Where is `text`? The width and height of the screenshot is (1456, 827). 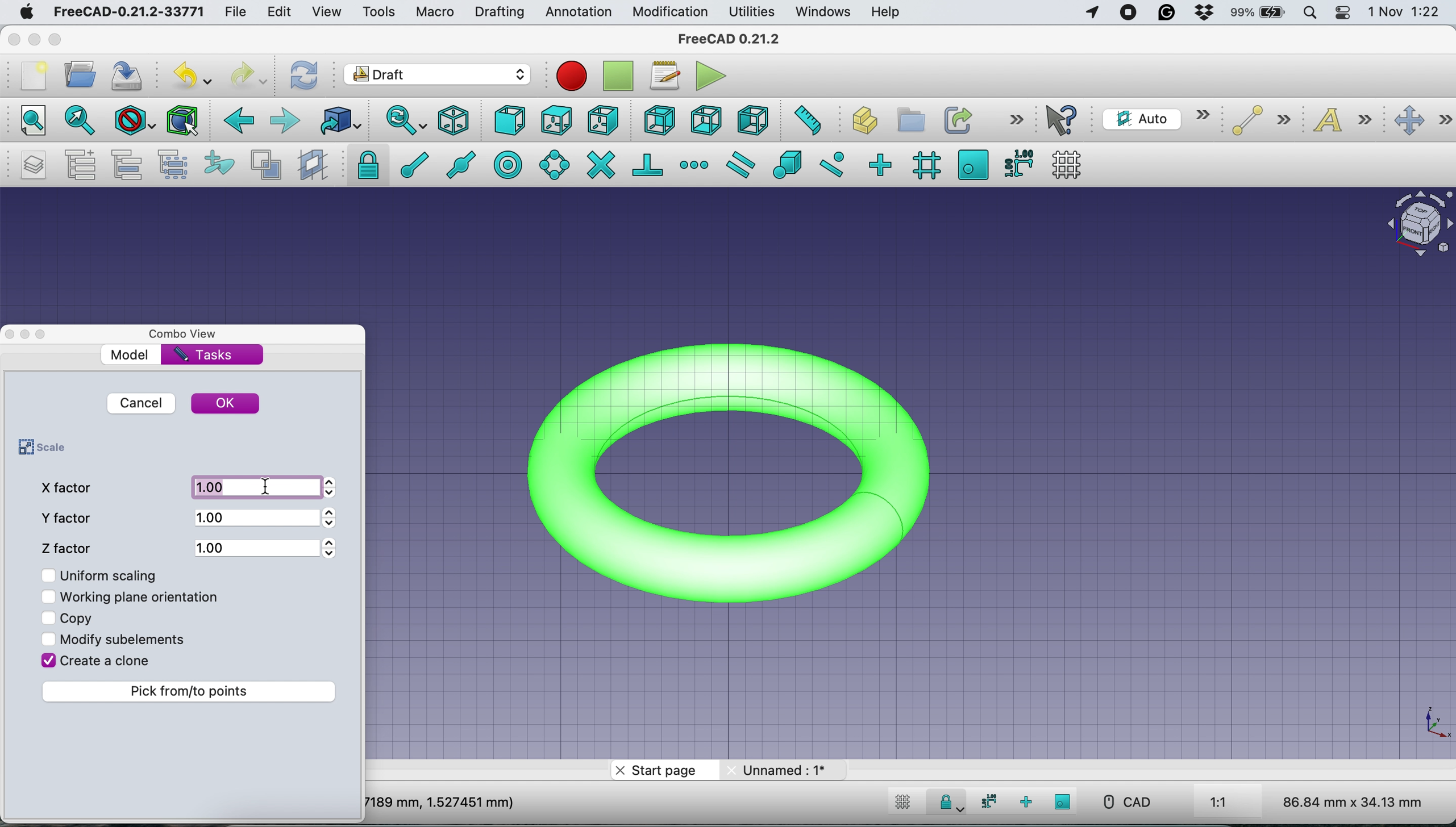 text is located at coordinates (1345, 122).